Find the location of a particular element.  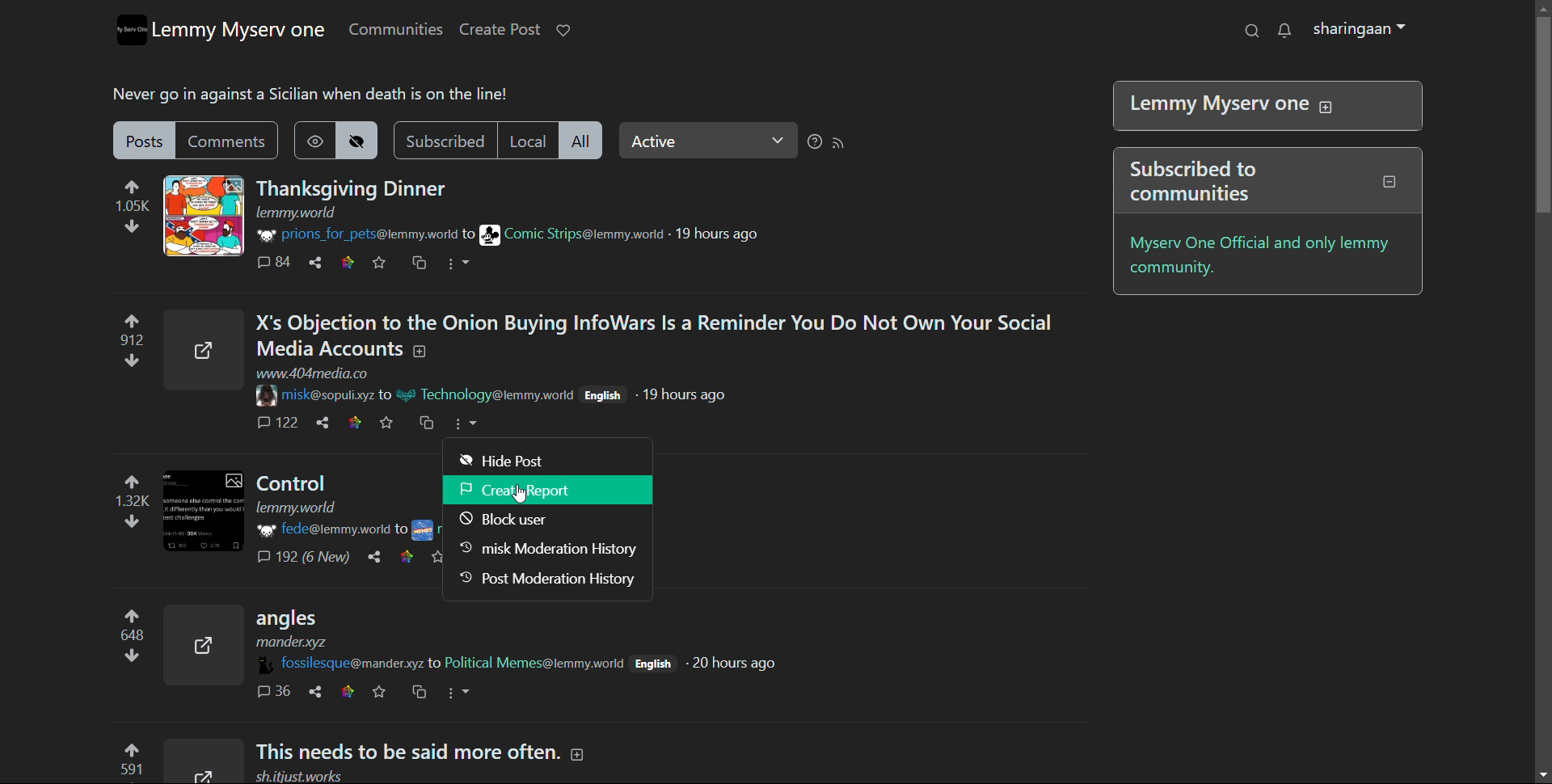

Never go in against a Sicilian when death is on the line! is located at coordinates (315, 96).